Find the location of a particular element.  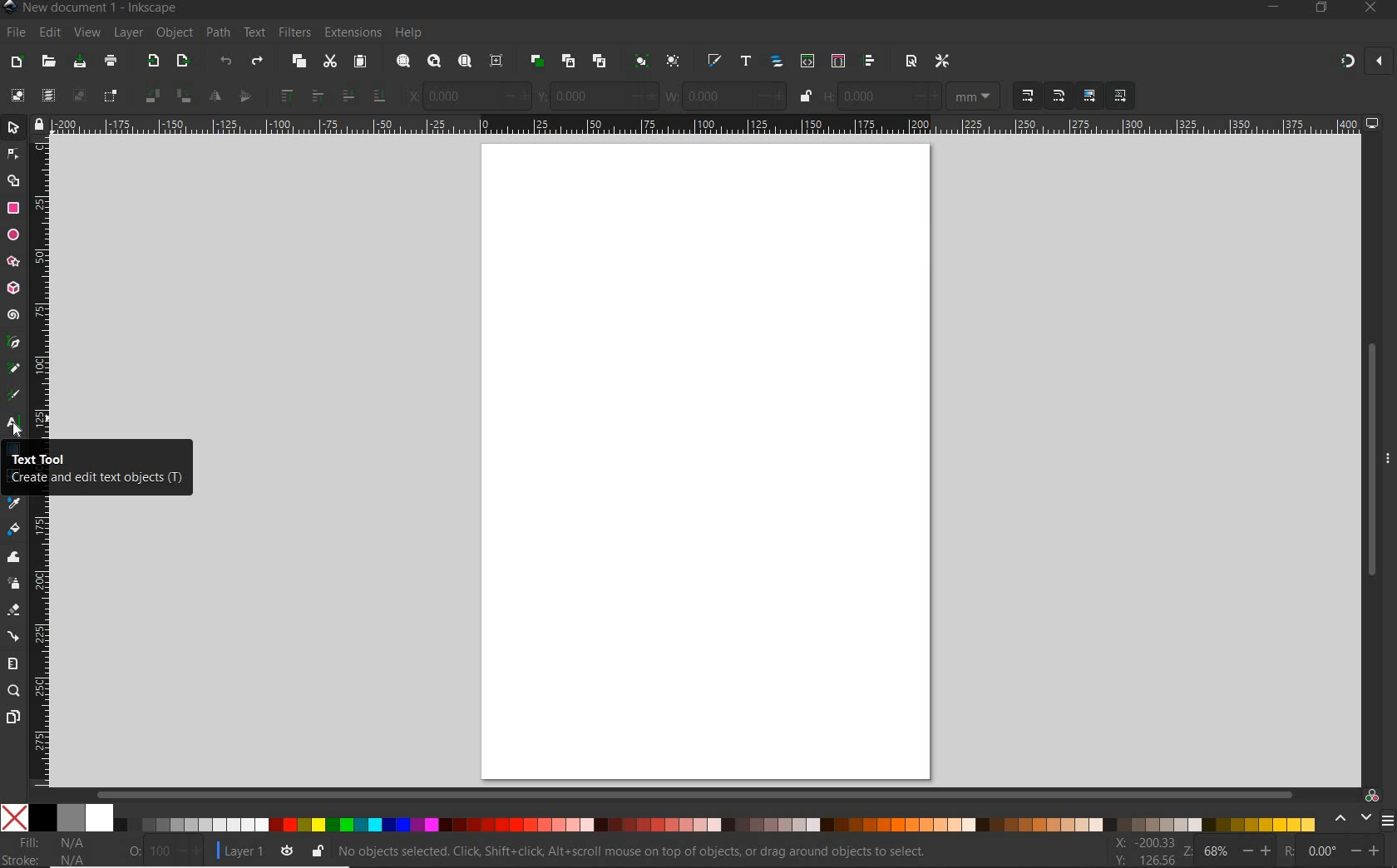

cut is located at coordinates (329, 62).